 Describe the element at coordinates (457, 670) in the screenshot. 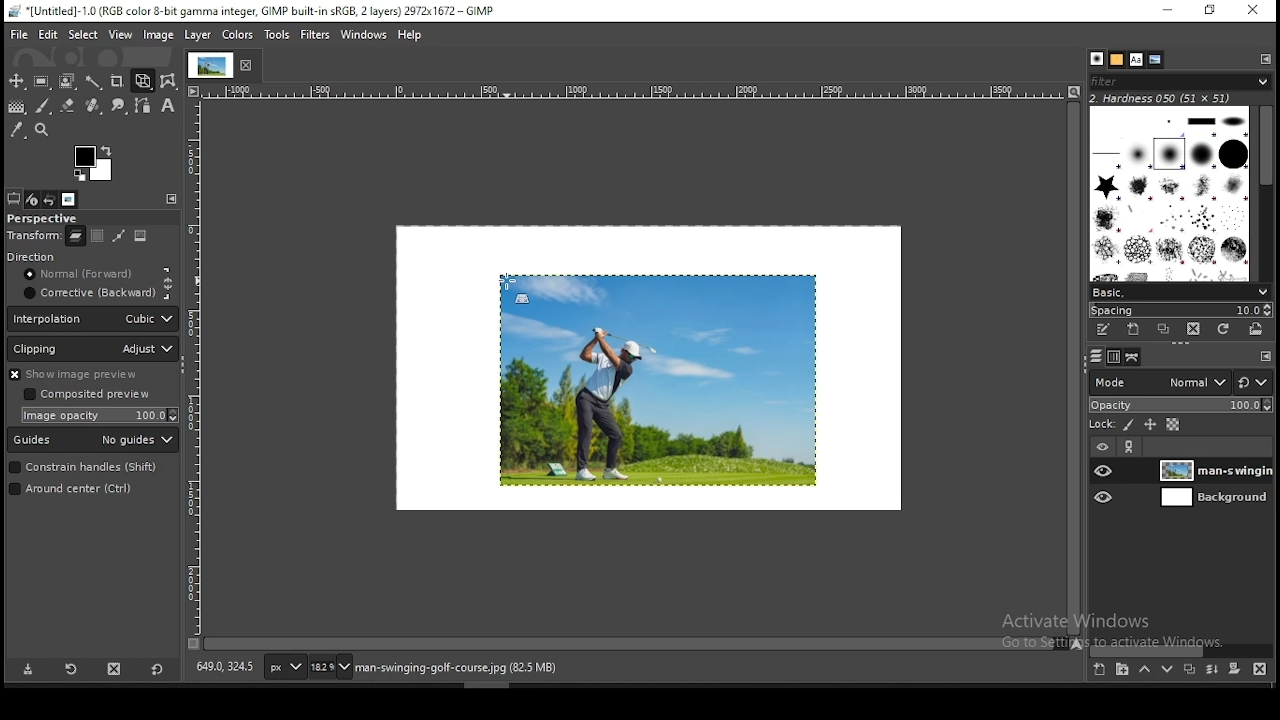

I see `man-swinging-golf-course.jpg (82.5)` at that location.